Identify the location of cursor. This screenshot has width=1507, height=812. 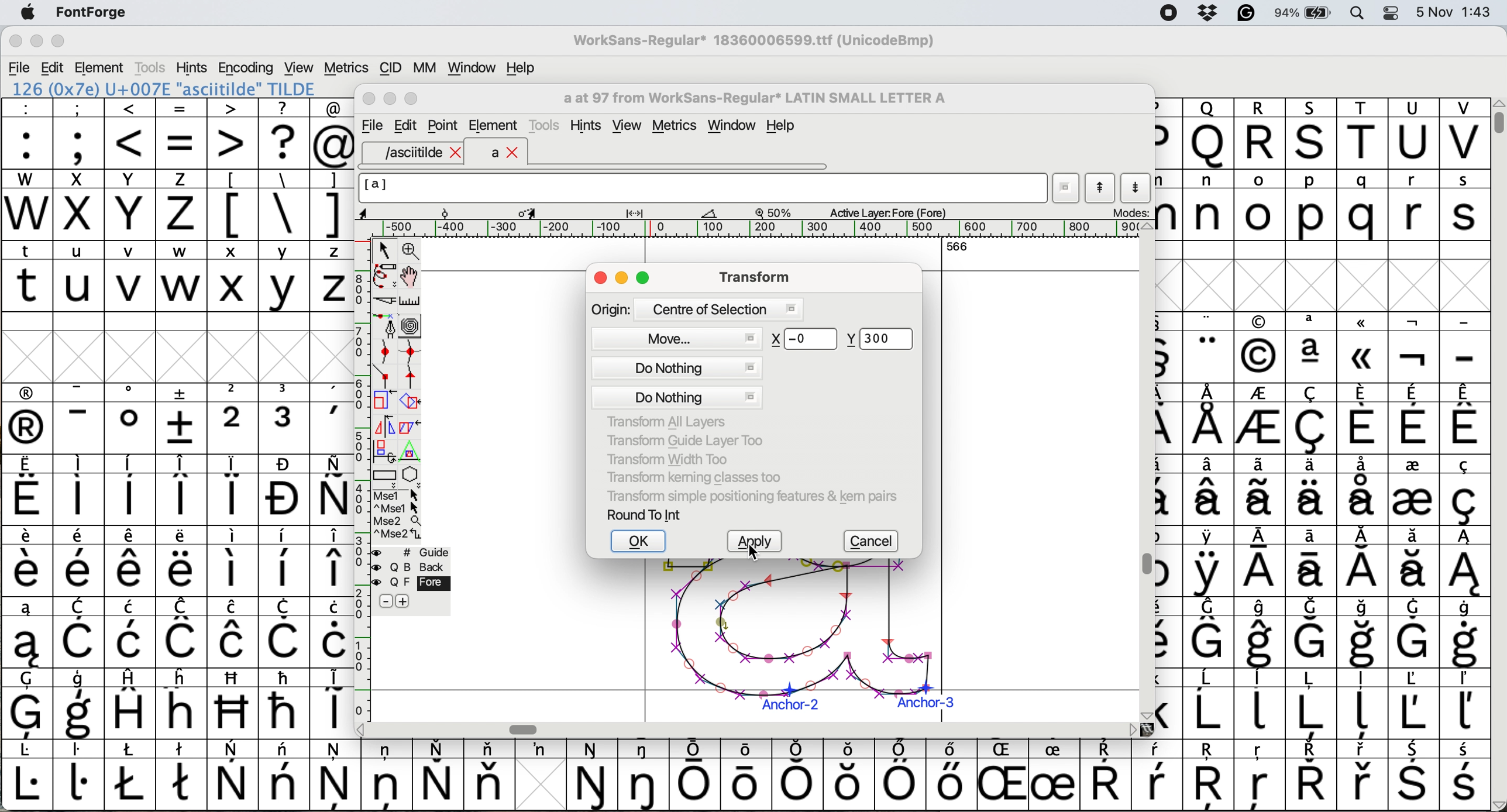
(755, 553).